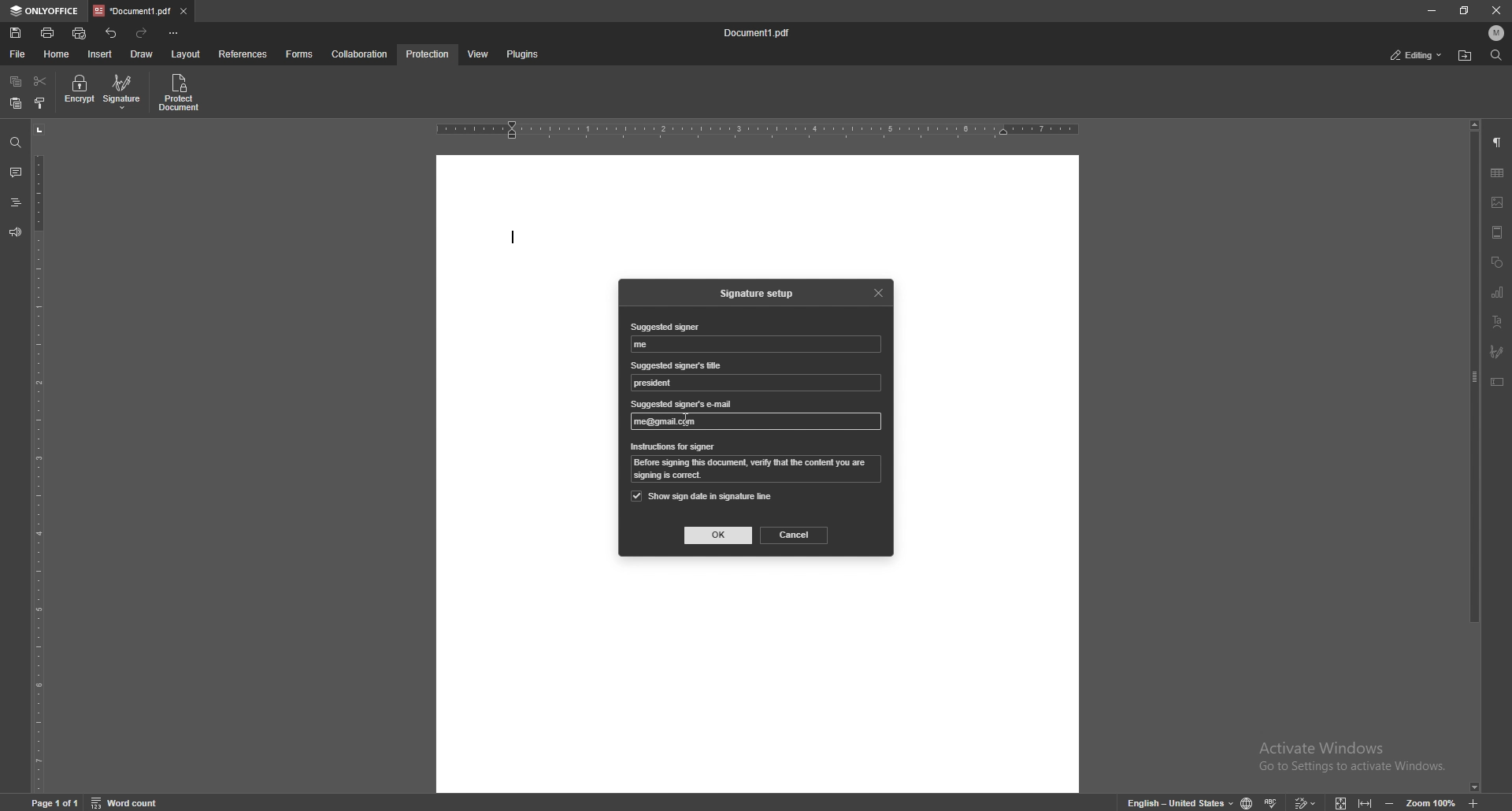 This screenshot has height=811, width=1512. Describe the element at coordinates (113, 33) in the screenshot. I see `undo` at that location.